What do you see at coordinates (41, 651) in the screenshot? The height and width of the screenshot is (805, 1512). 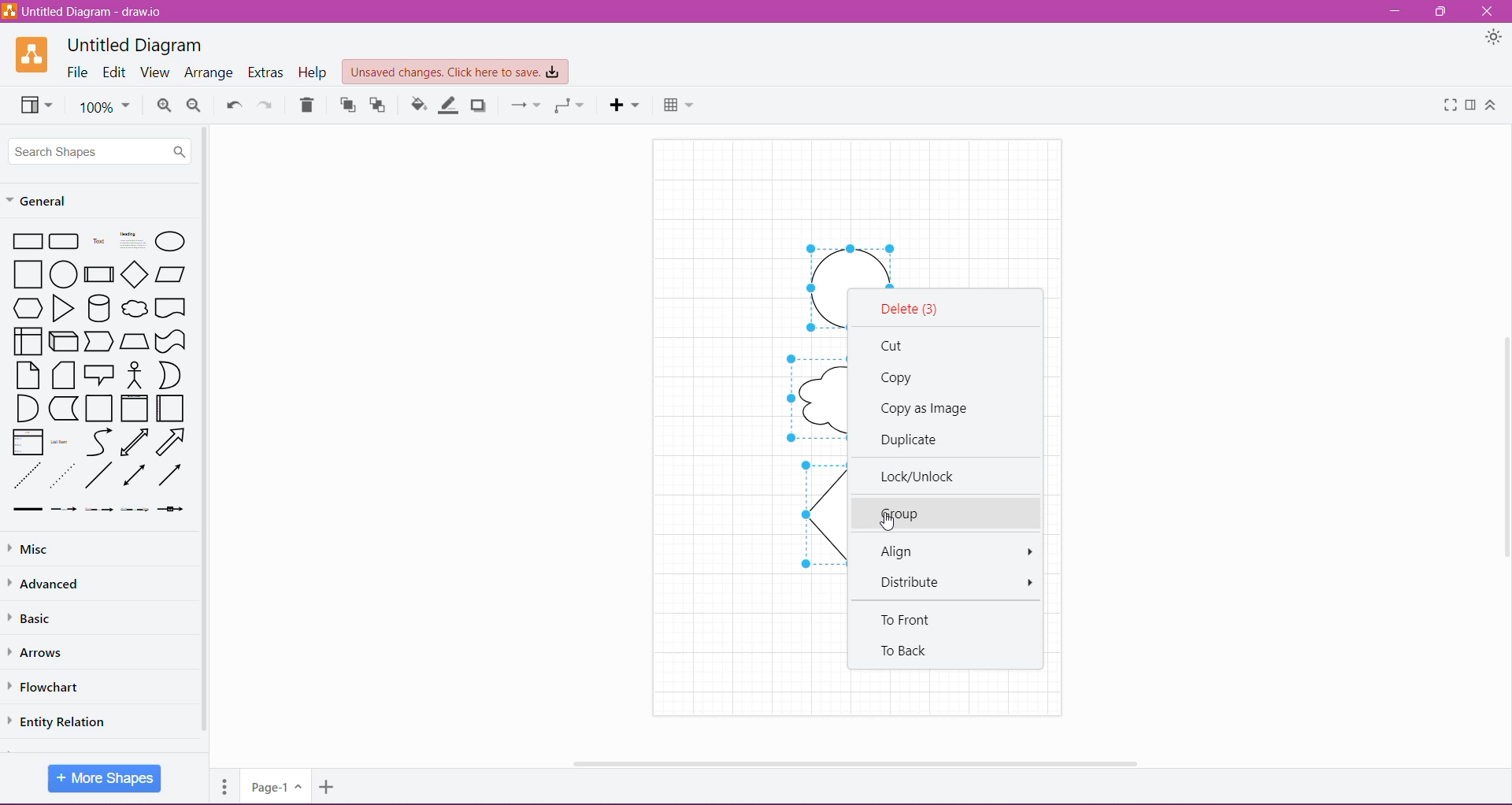 I see `Arrows` at bounding box center [41, 651].